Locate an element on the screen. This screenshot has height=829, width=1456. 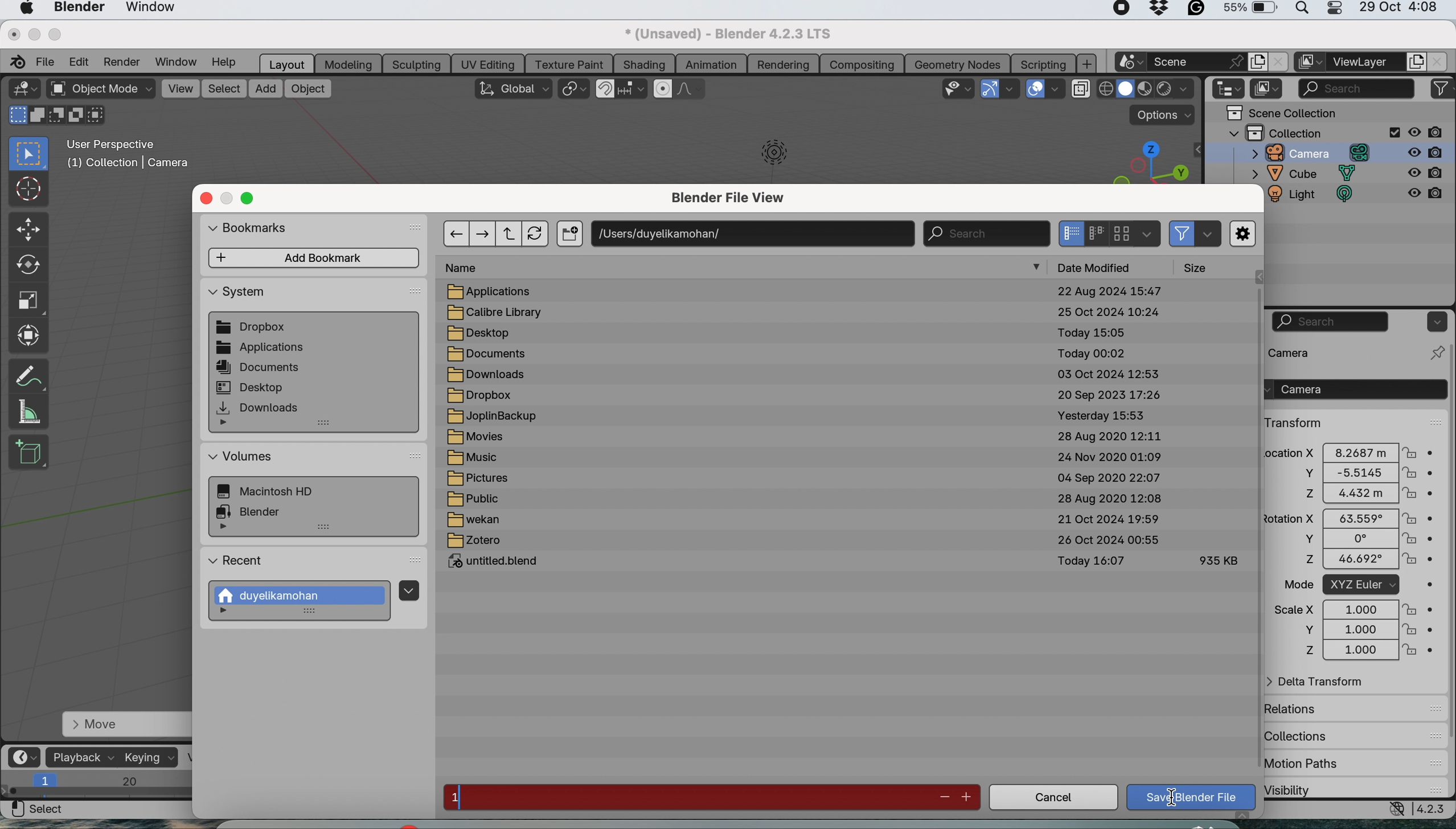
bookmarks is located at coordinates (256, 230).